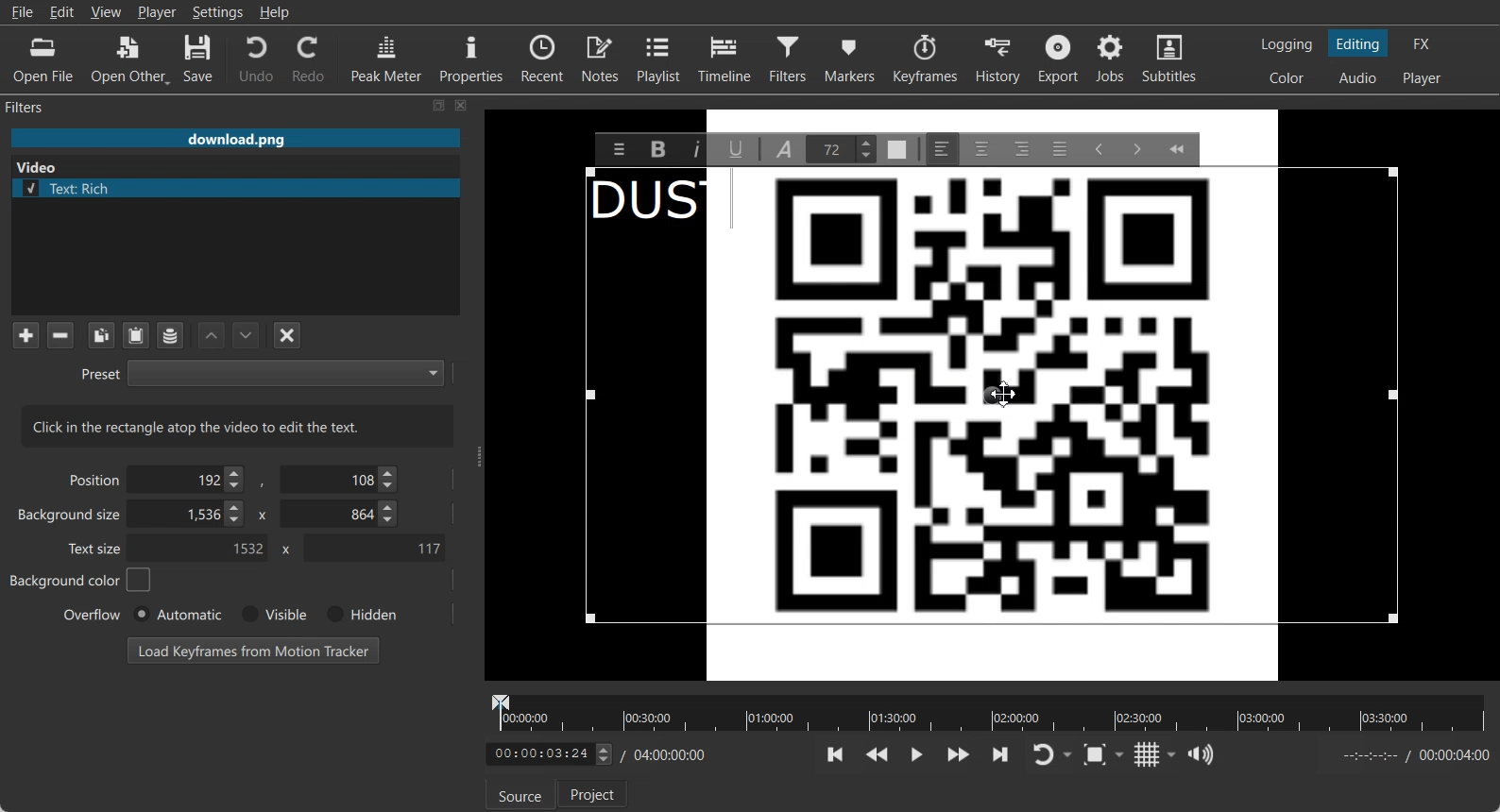 This screenshot has height=812, width=1500. I want to click on Save, so click(198, 59).